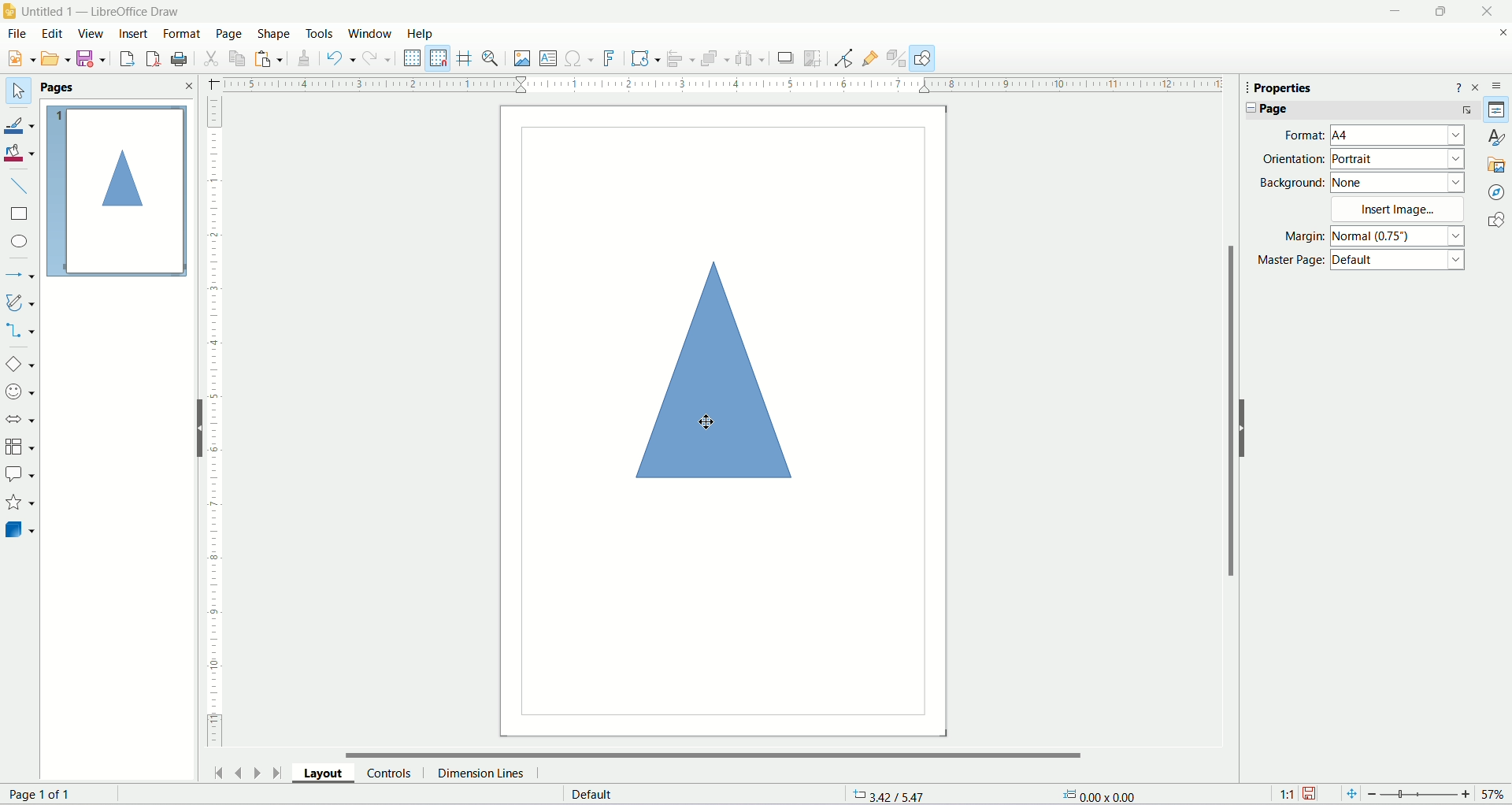  I want to click on Show draw functions, so click(924, 57).